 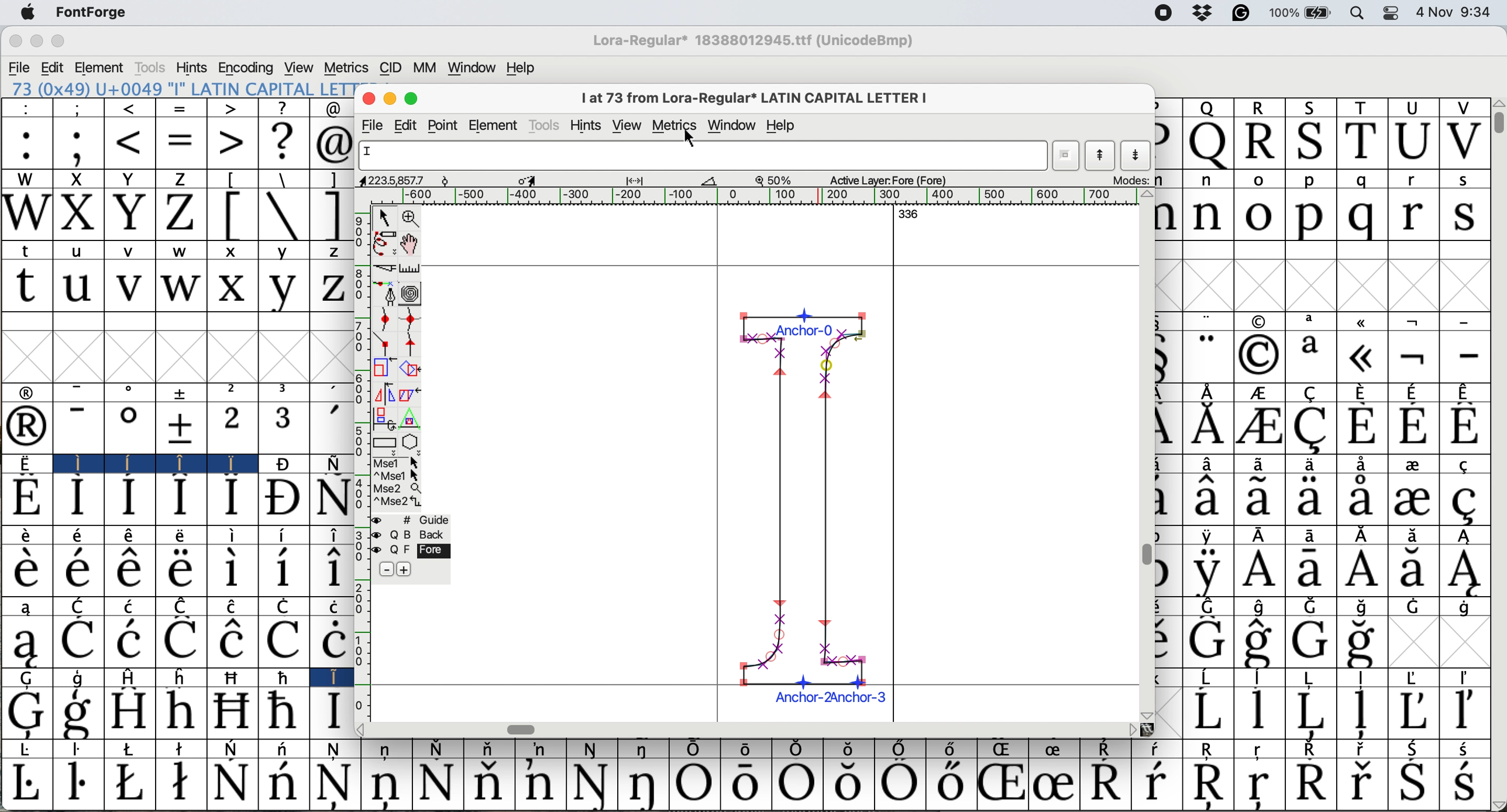 What do you see at coordinates (1261, 787) in the screenshot?
I see `Symbol` at bounding box center [1261, 787].